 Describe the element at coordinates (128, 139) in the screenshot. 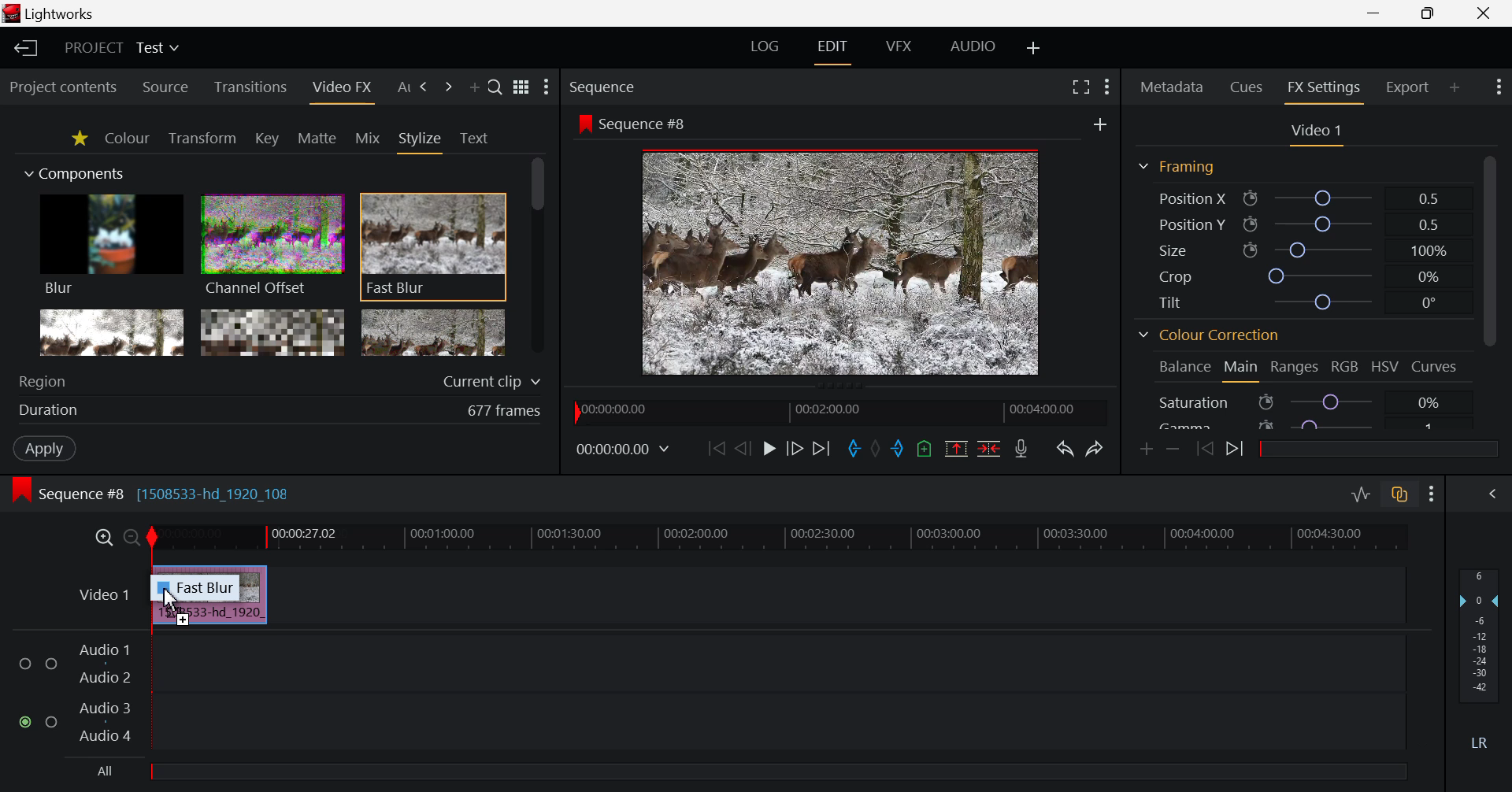

I see `Colour` at that location.